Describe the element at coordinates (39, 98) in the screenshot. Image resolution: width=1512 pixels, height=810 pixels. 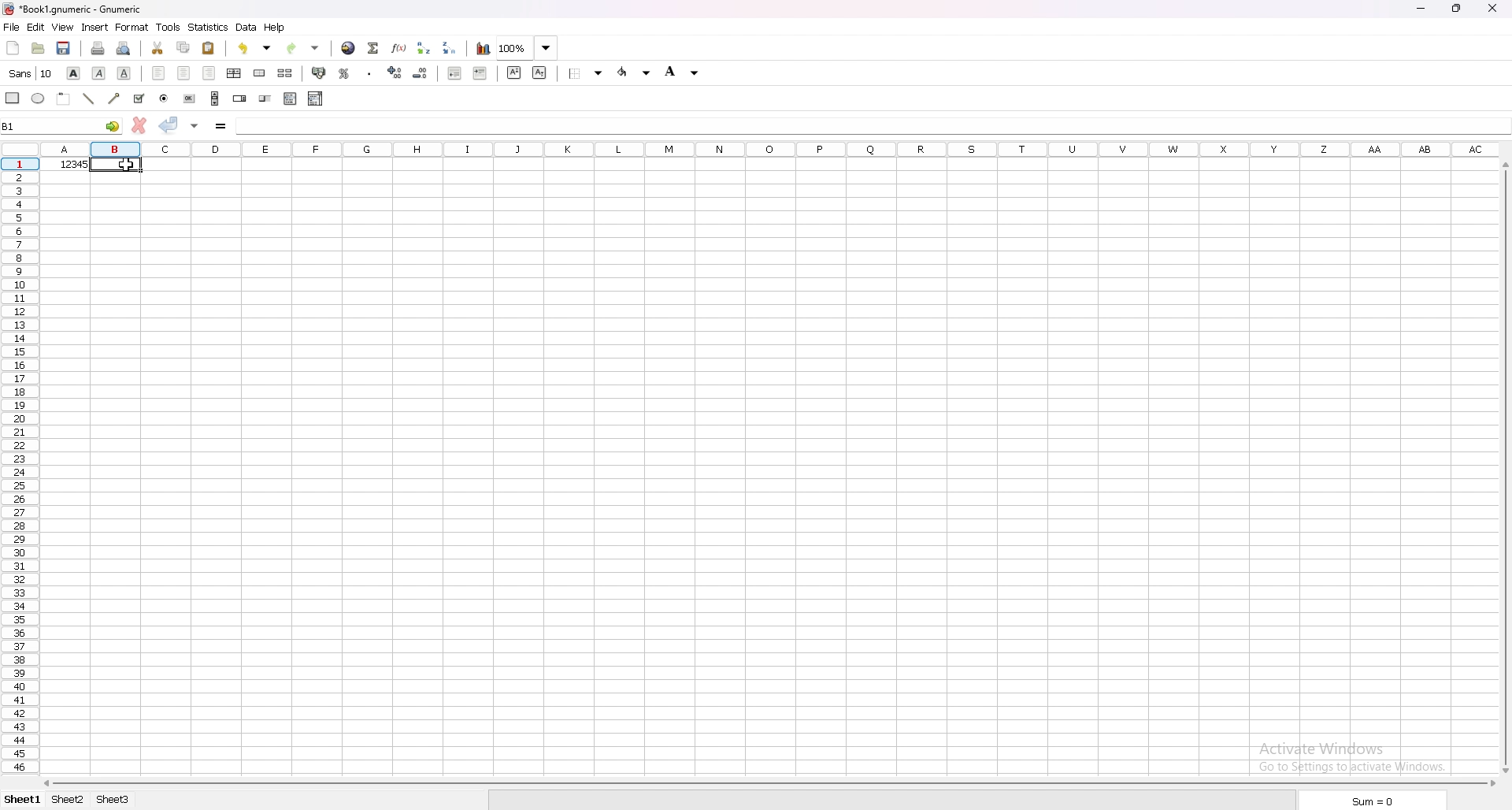
I see `ellipse` at that location.